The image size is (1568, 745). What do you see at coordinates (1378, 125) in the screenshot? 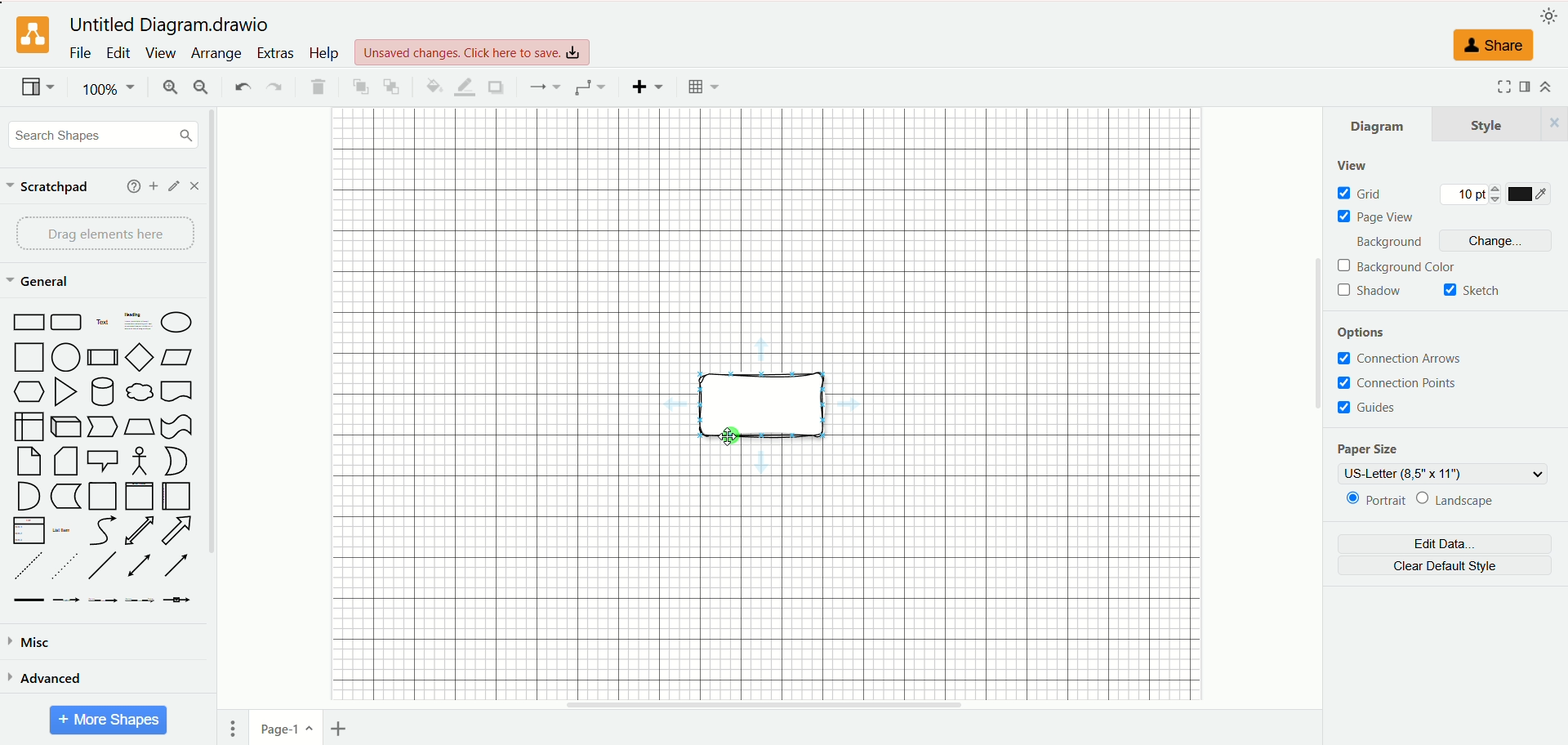
I see `diagram` at bounding box center [1378, 125].